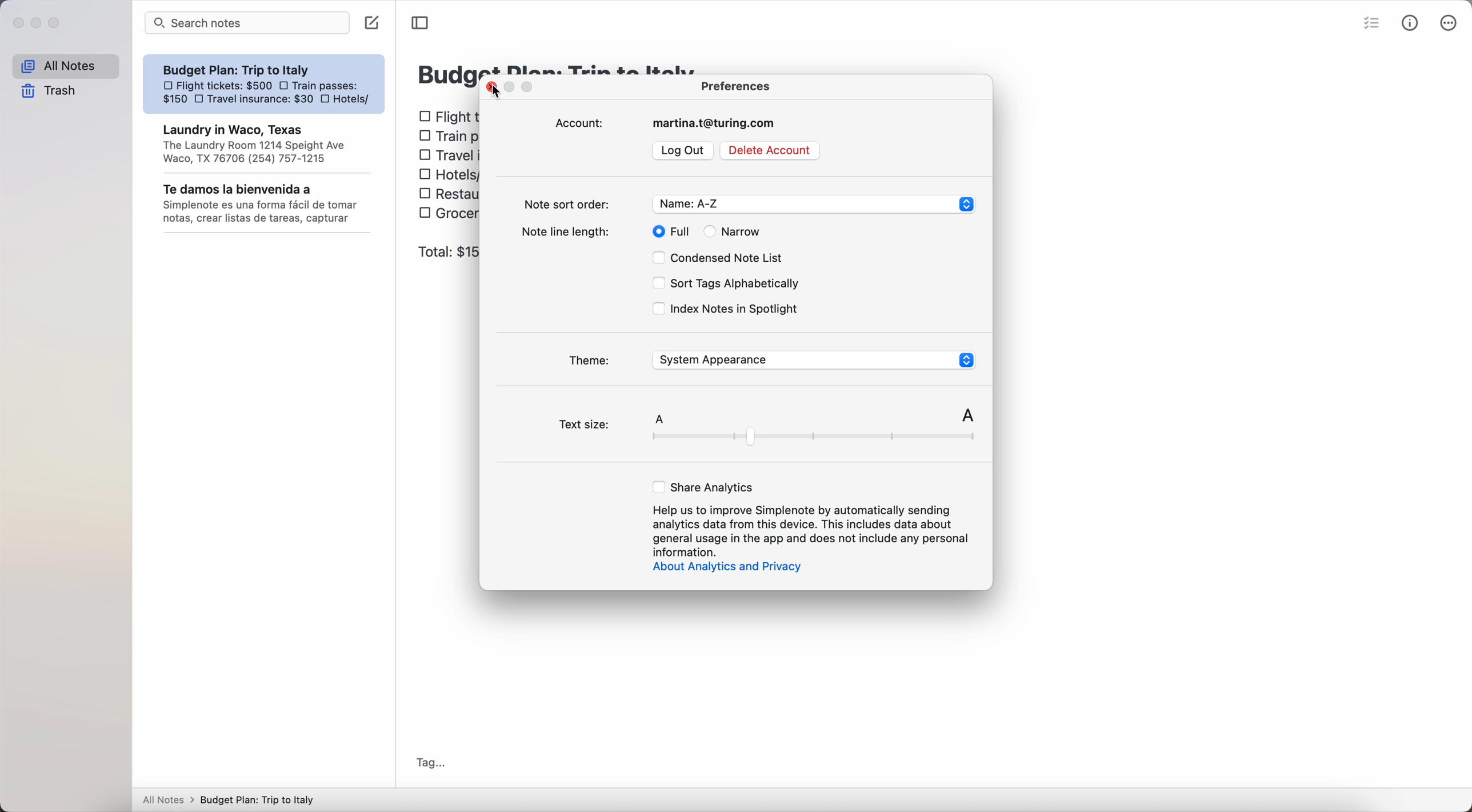  Describe the element at coordinates (724, 283) in the screenshot. I see `sort tags alphabetically` at that location.